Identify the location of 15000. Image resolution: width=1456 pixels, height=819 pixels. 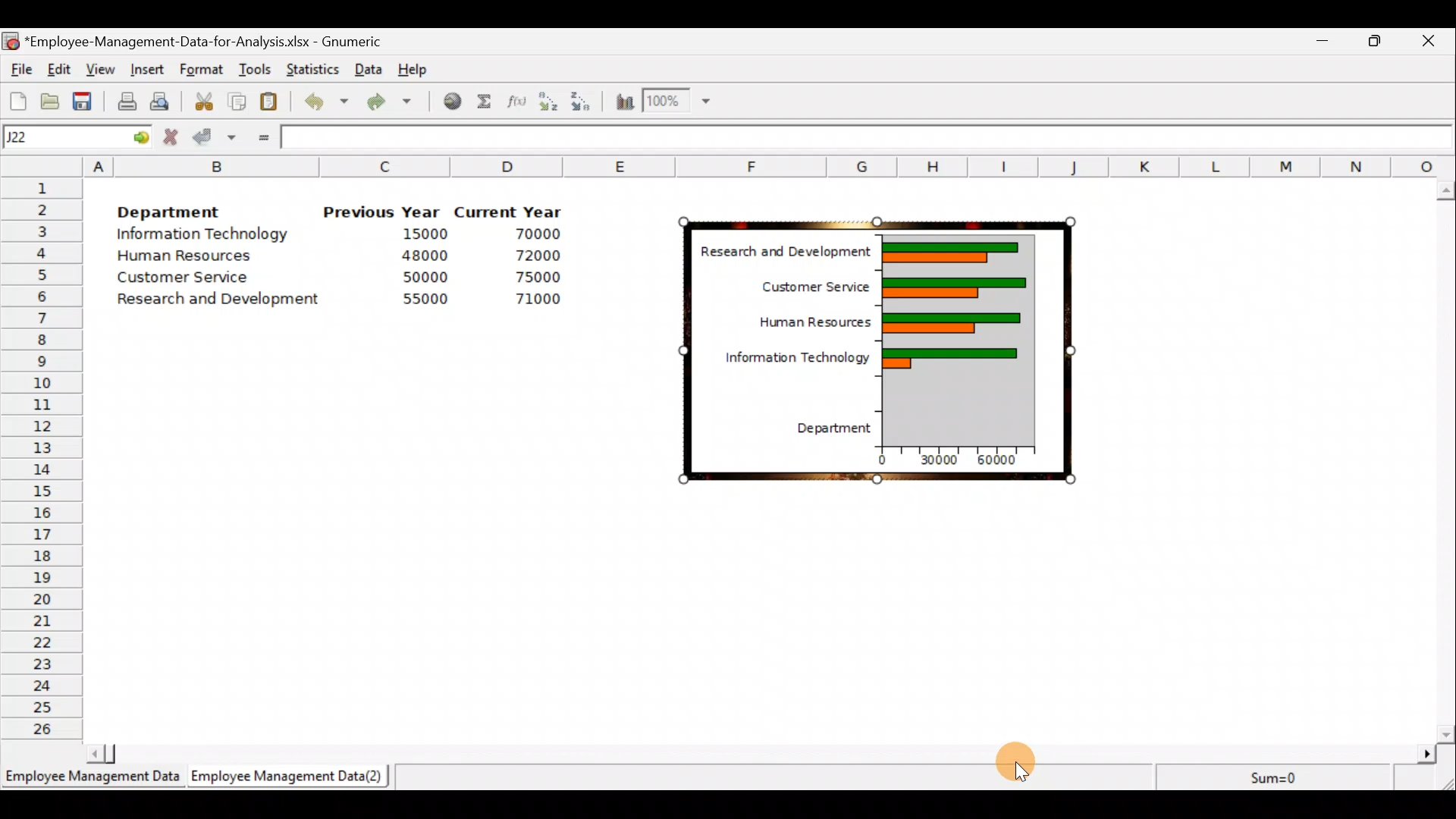
(420, 237).